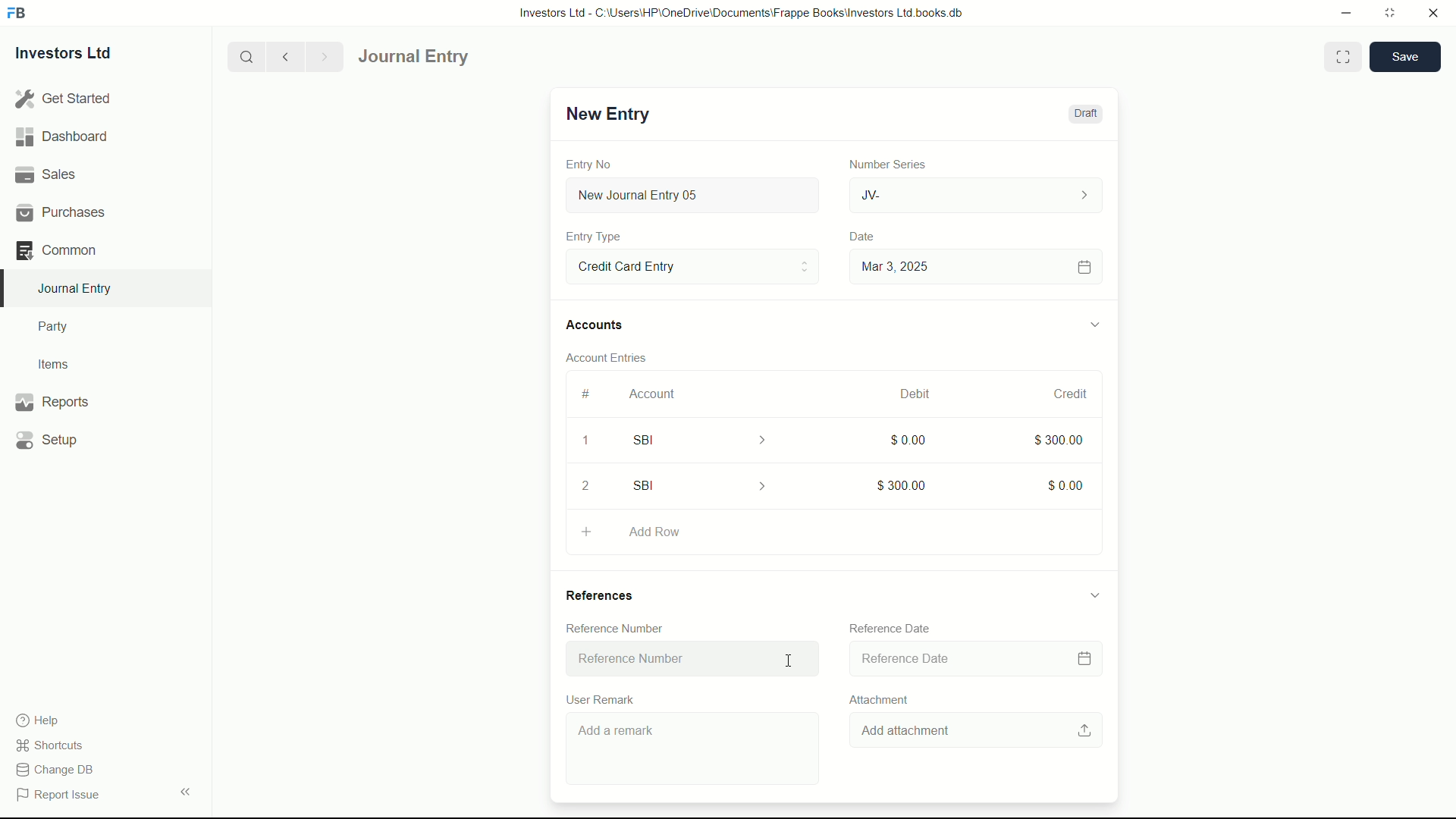 The width and height of the screenshot is (1456, 819). I want to click on Attachment, so click(878, 699).